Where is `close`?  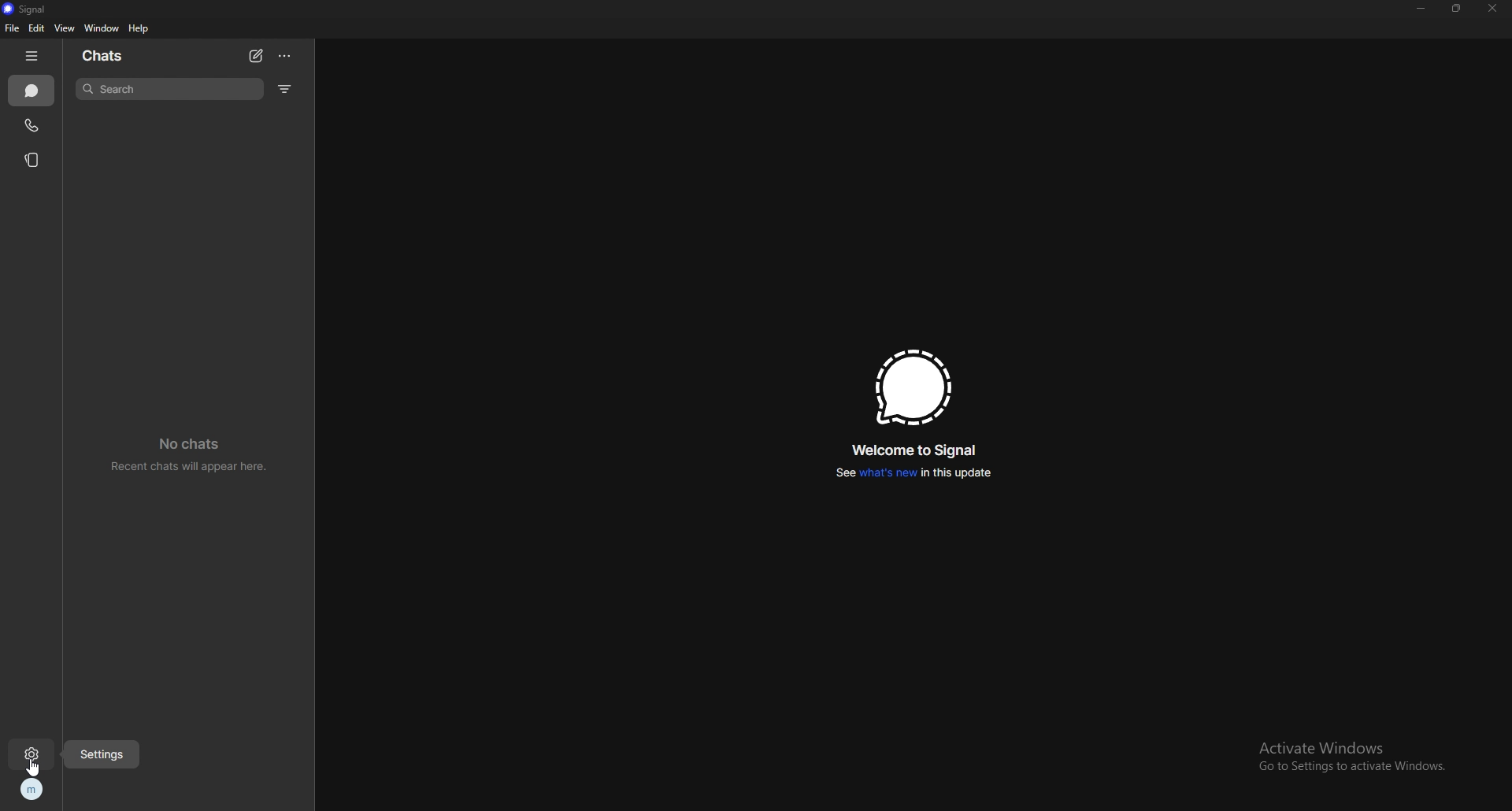 close is located at coordinates (1491, 9).